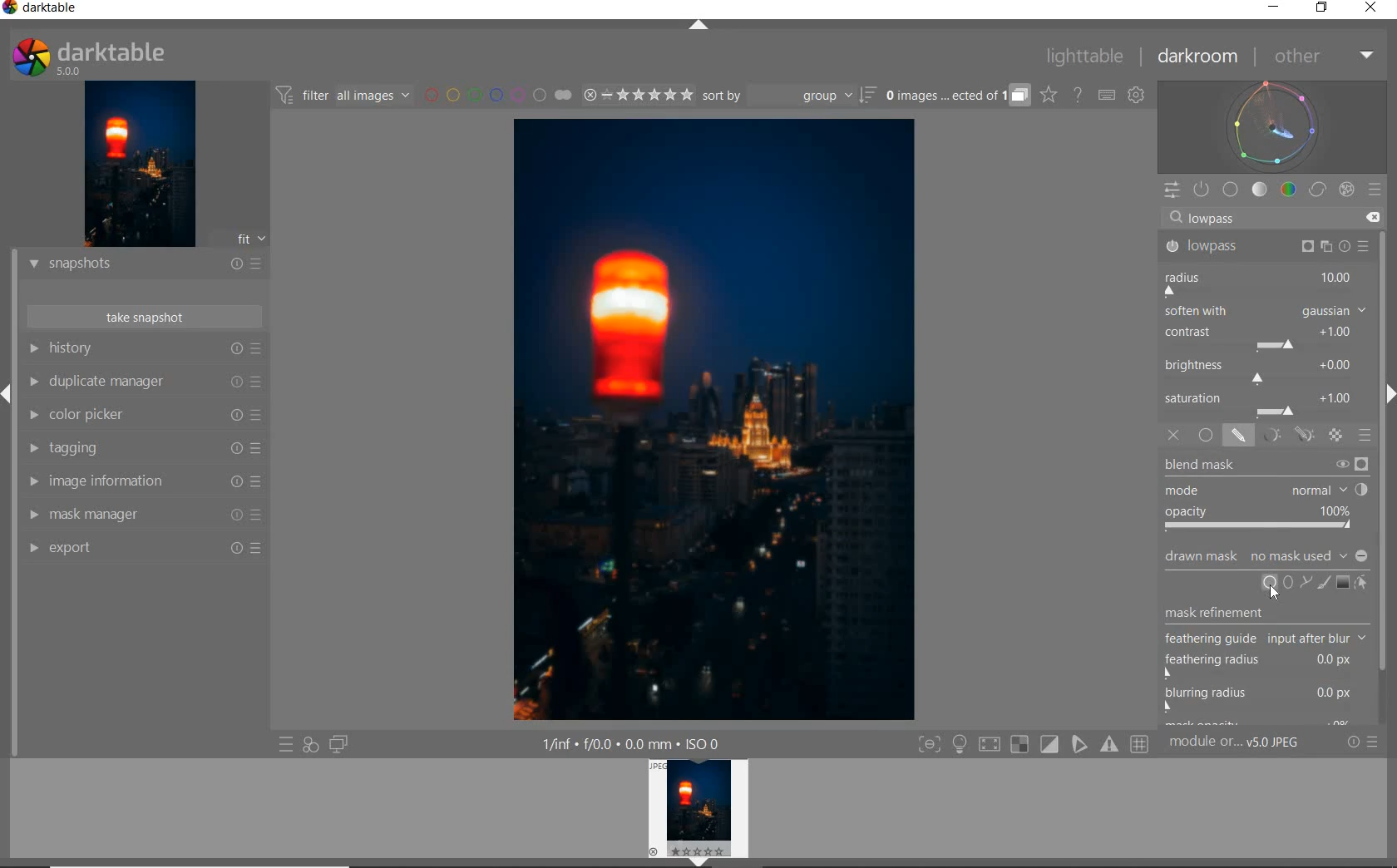  What do you see at coordinates (146, 548) in the screenshot?
I see `EXPORT` at bounding box center [146, 548].